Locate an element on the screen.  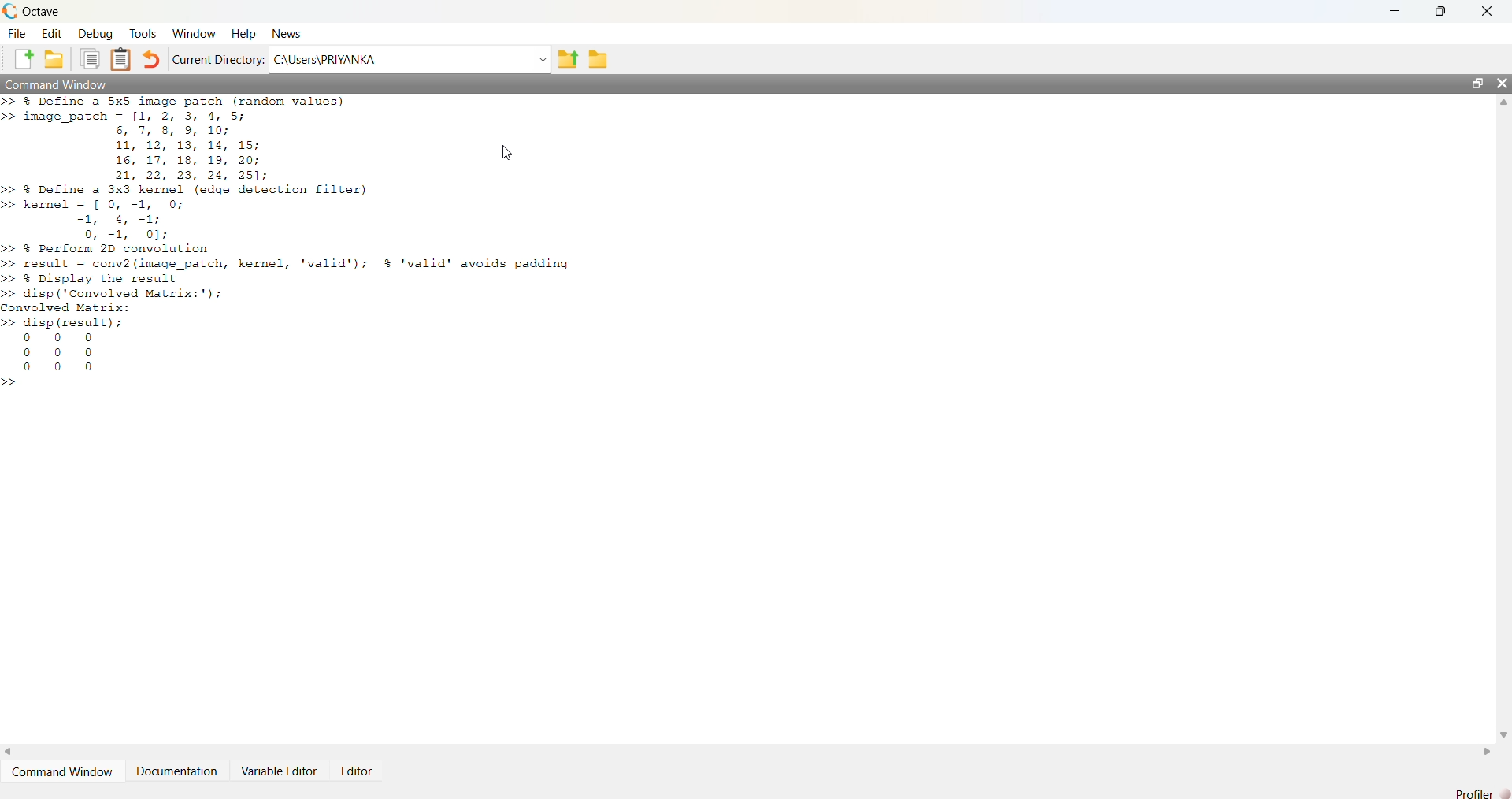
One directory up is located at coordinates (568, 59).